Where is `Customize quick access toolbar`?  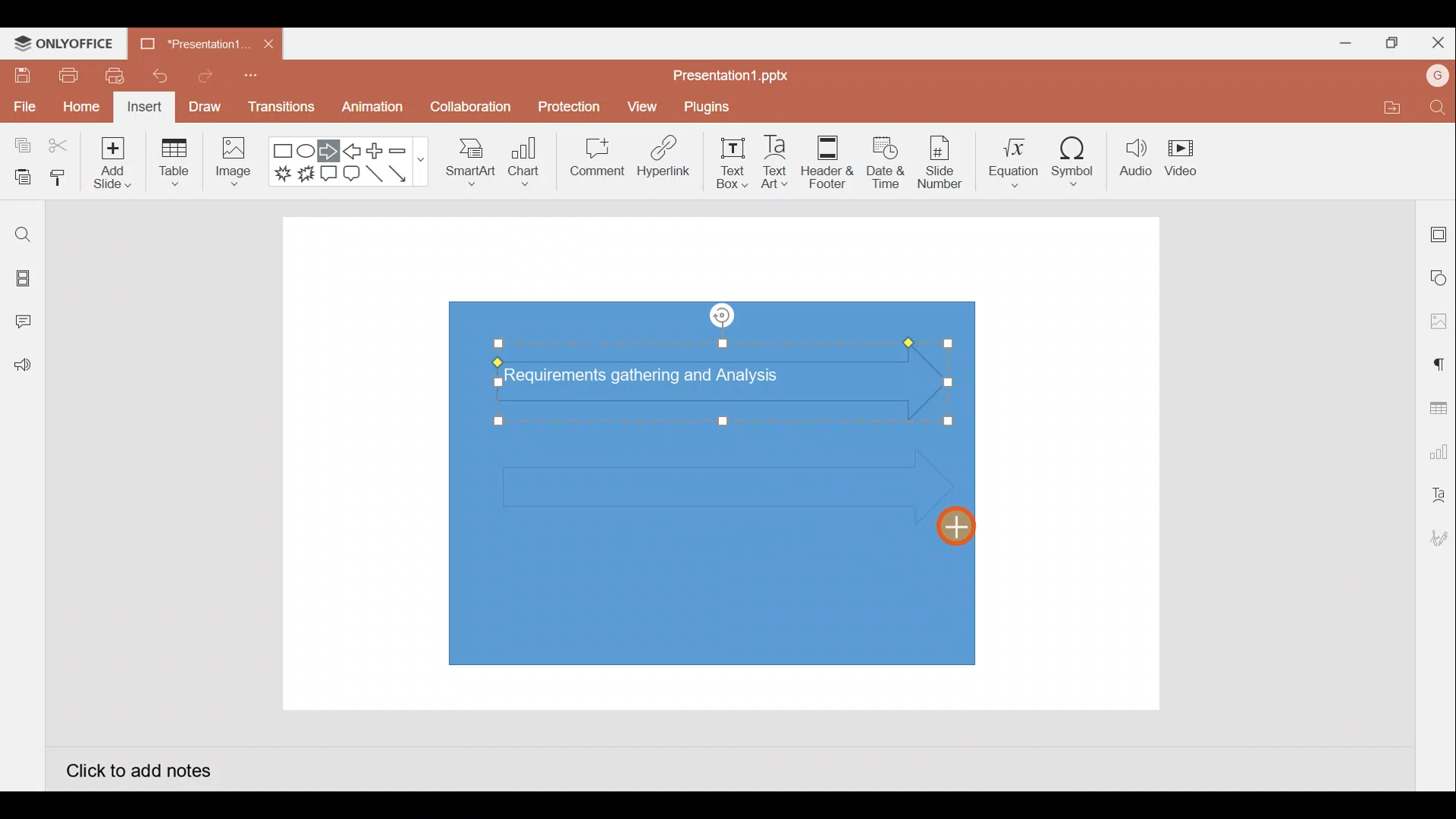
Customize quick access toolbar is located at coordinates (256, 80).